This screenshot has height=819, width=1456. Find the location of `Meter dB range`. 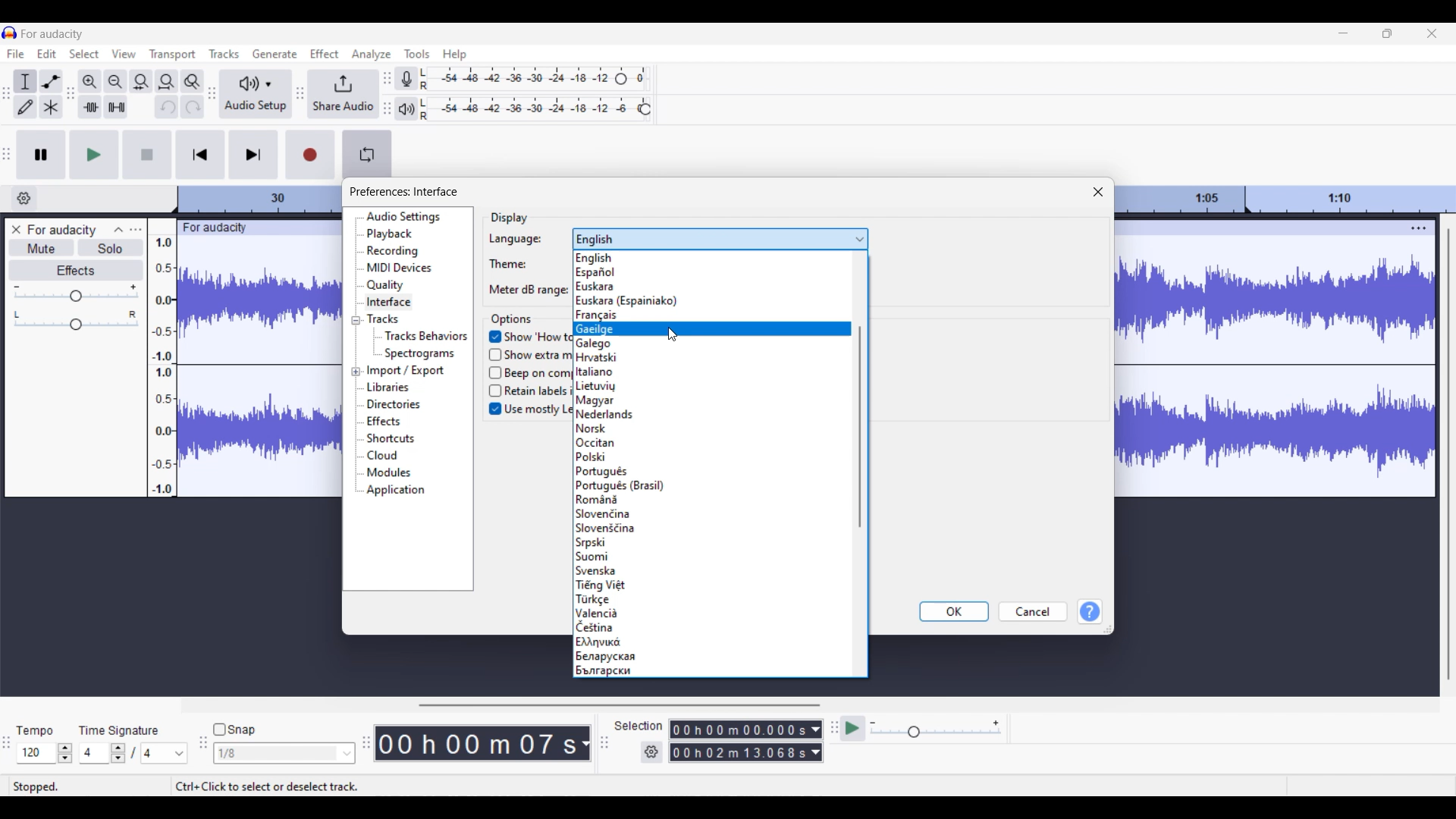

Meter dB range is located at coordinates (527, 290).